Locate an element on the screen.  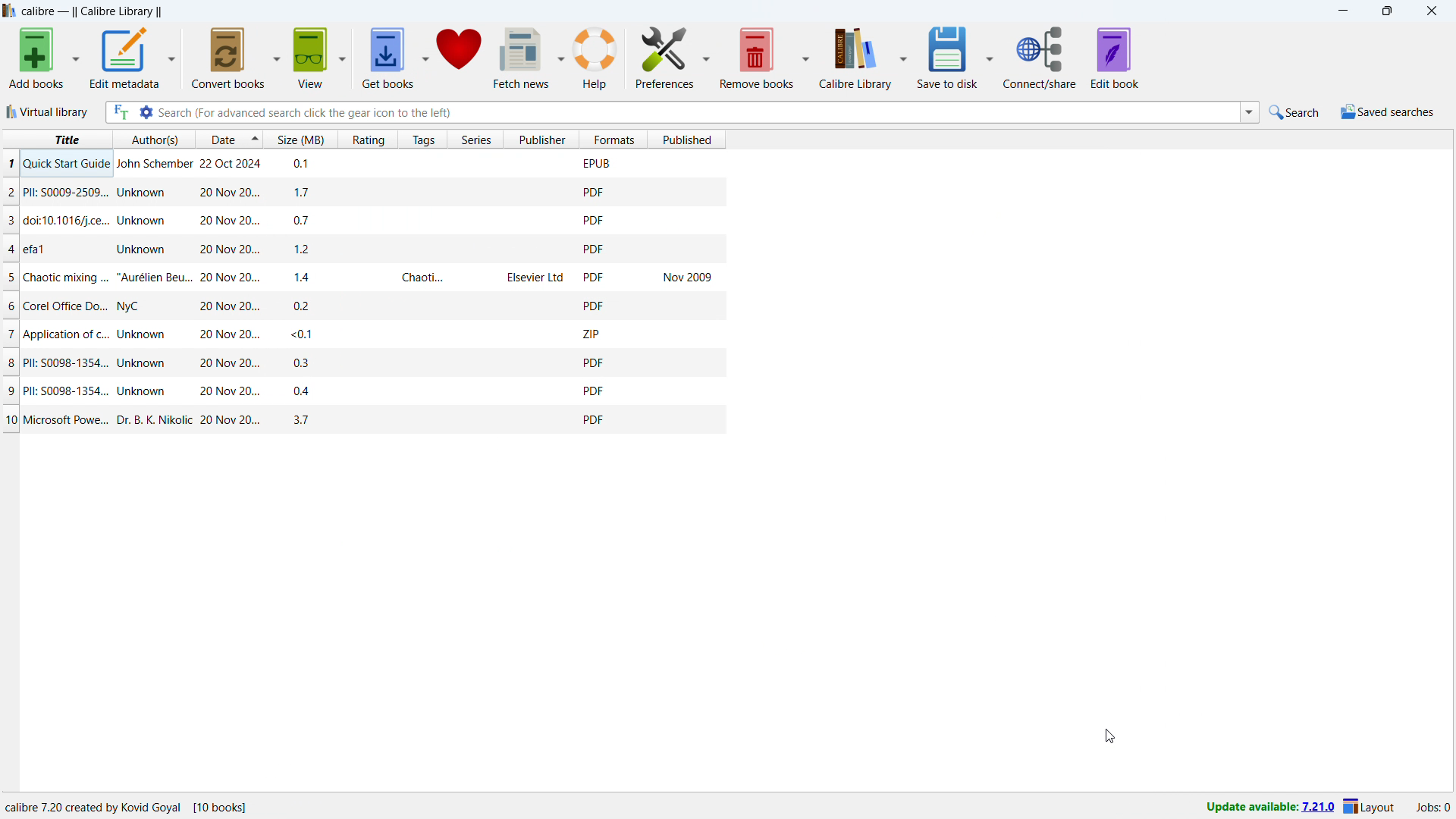
convert books options is located at coordinates (278, 56).